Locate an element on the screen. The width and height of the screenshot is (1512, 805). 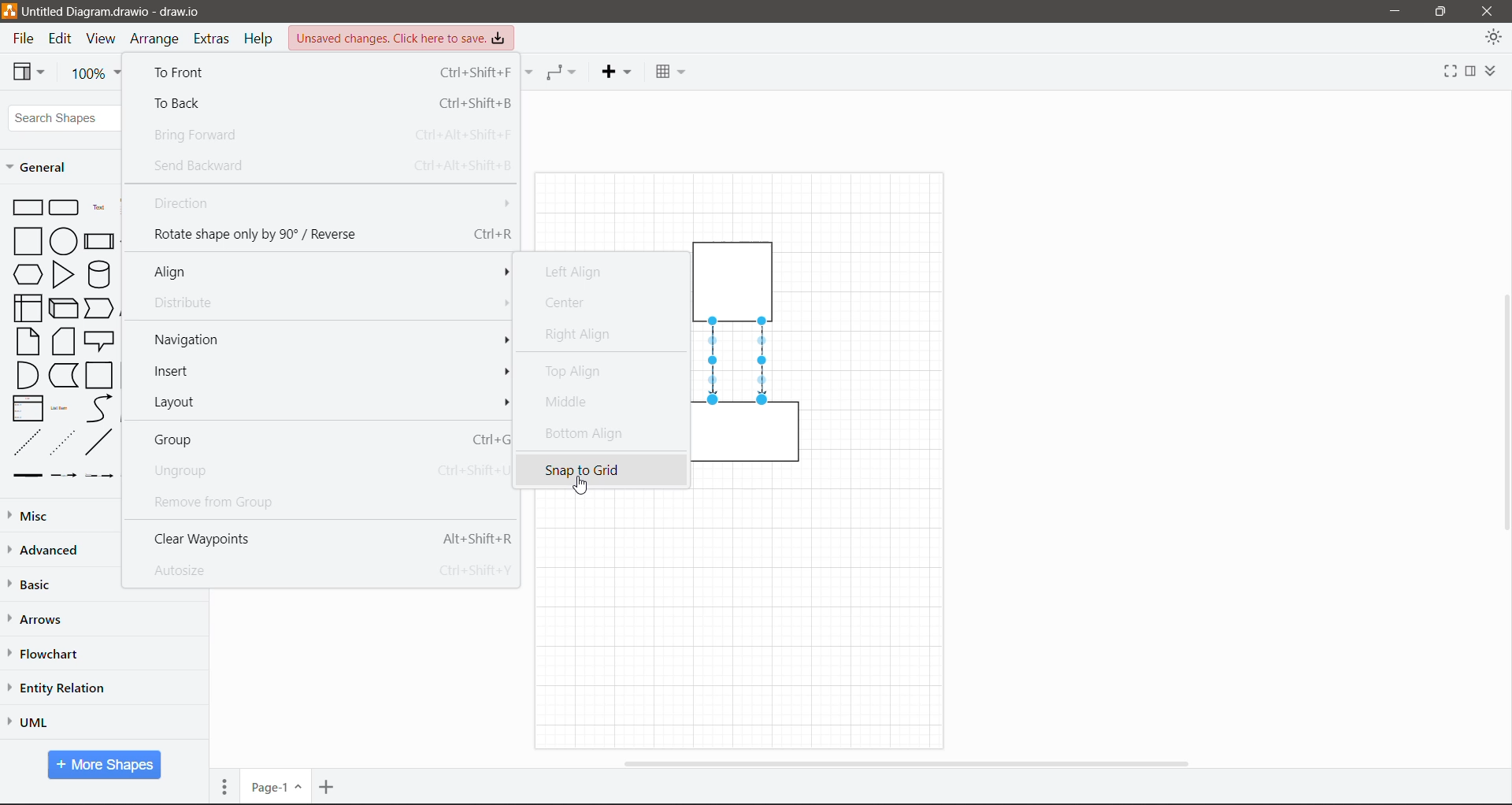
Ungroup is located at coordinates (326, 472).